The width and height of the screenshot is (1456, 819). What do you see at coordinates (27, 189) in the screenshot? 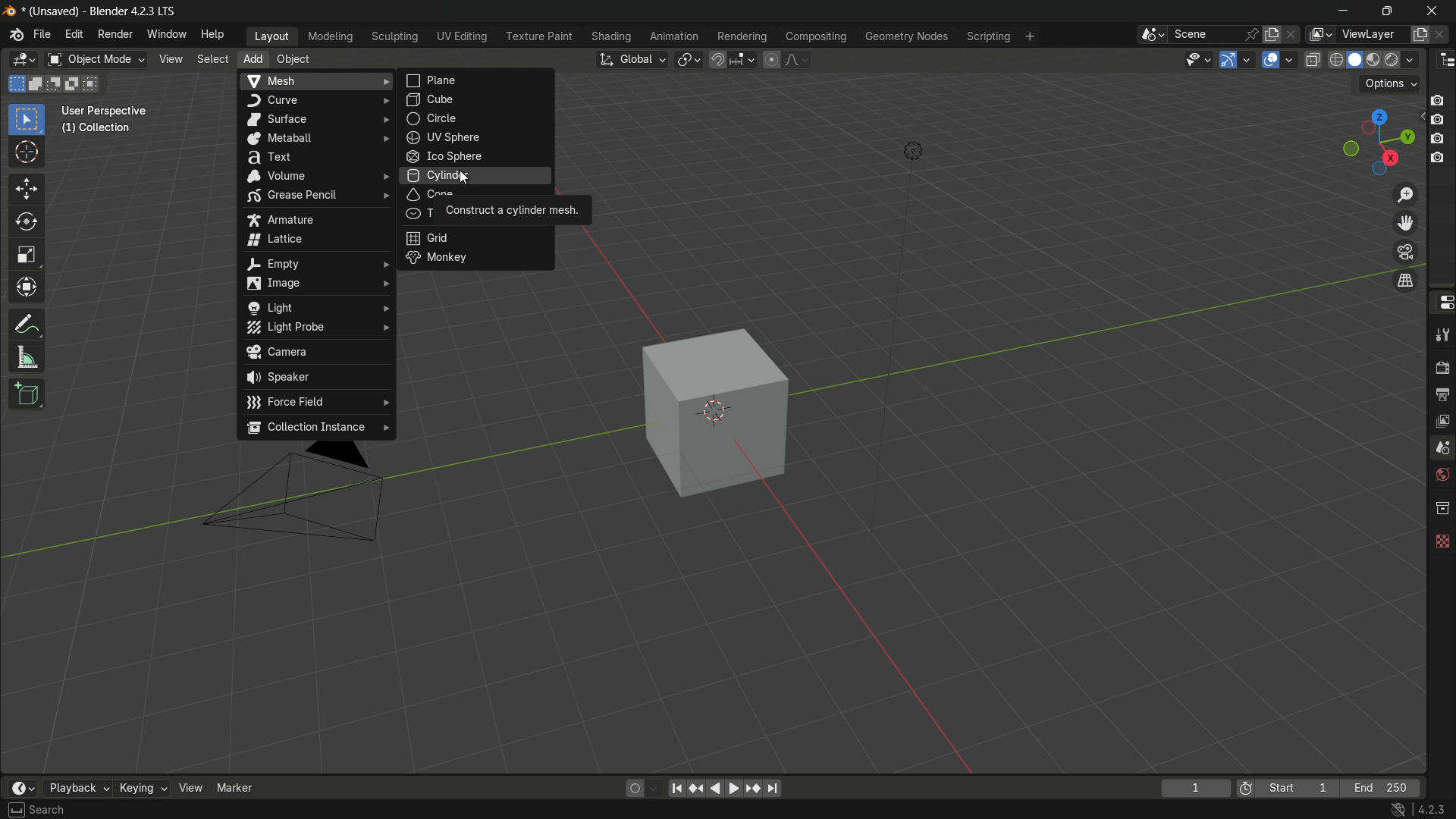
I see `move` at bounding box center [27, 189].